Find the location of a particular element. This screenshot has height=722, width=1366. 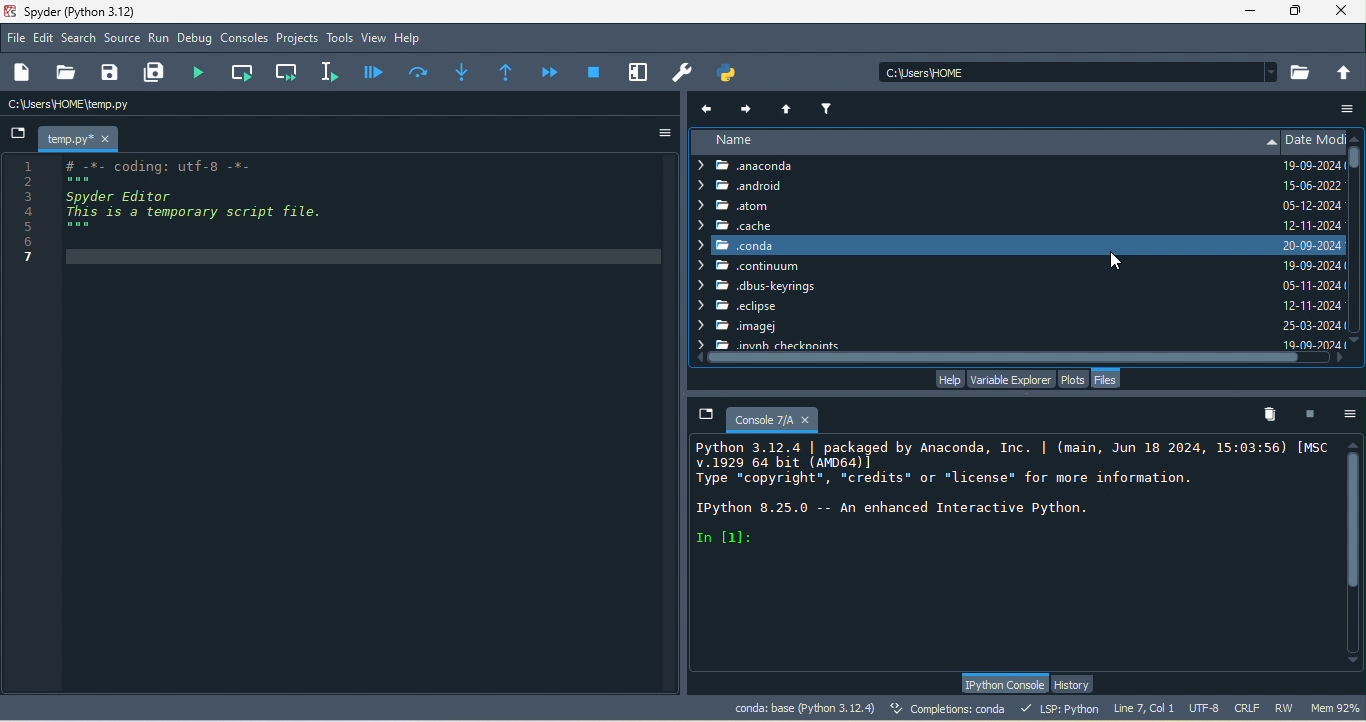

run current cell and go to the next one is located at coordinates (288, 71).